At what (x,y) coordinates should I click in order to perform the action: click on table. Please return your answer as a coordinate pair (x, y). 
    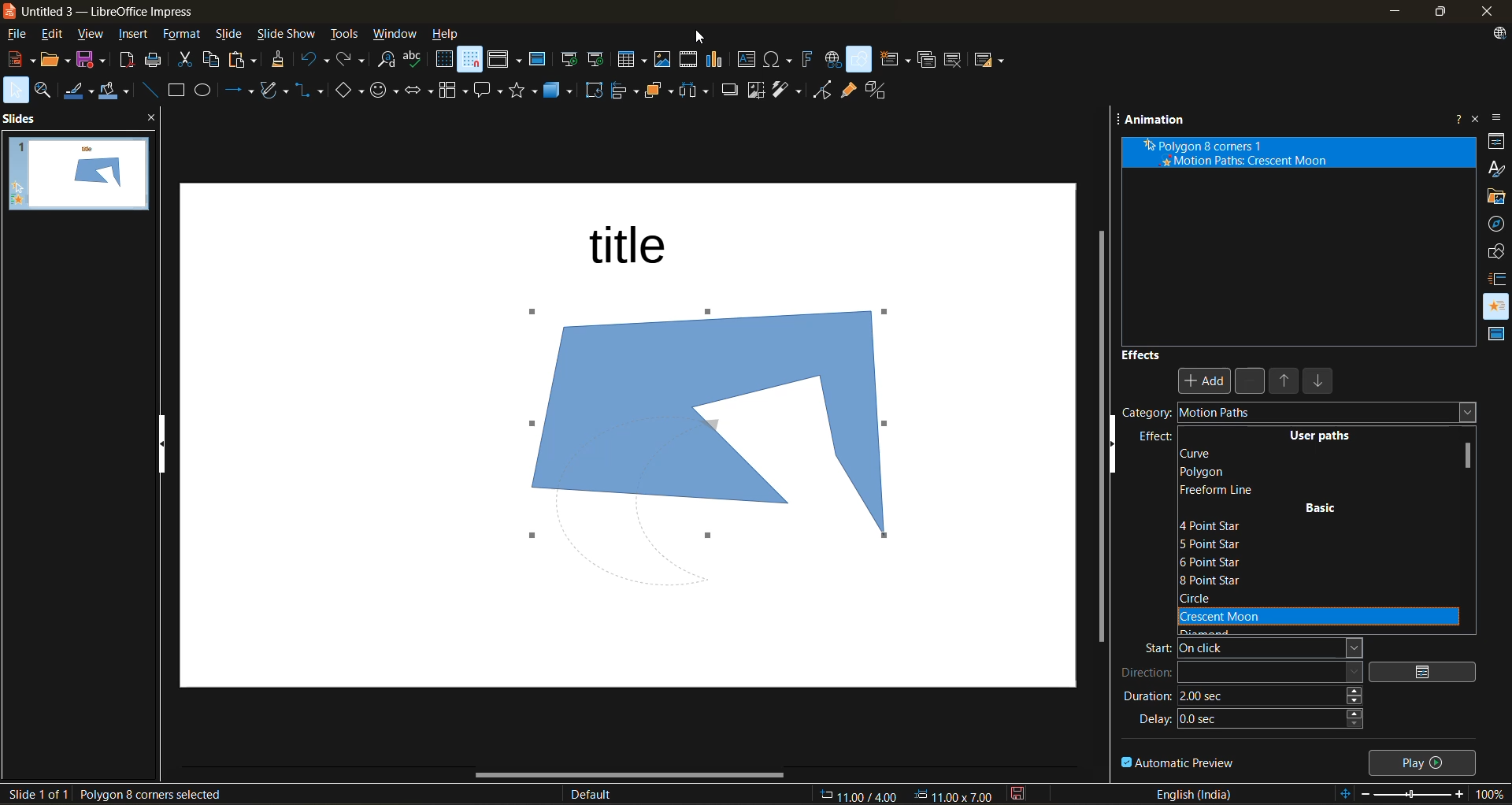
    Looking at the image, I should click on (632, 61).